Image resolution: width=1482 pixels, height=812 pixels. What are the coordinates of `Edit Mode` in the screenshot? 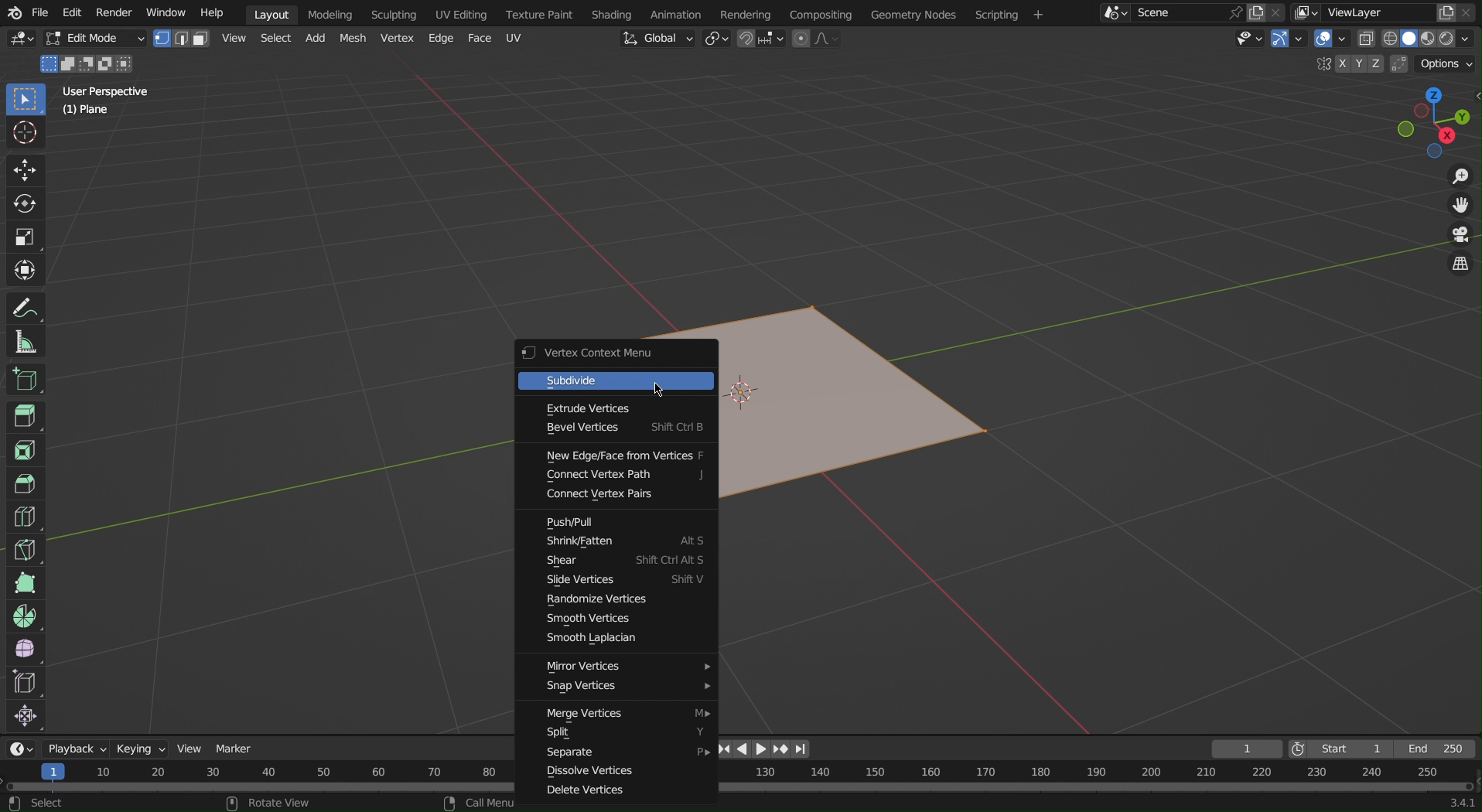 It's located at (94, 39).